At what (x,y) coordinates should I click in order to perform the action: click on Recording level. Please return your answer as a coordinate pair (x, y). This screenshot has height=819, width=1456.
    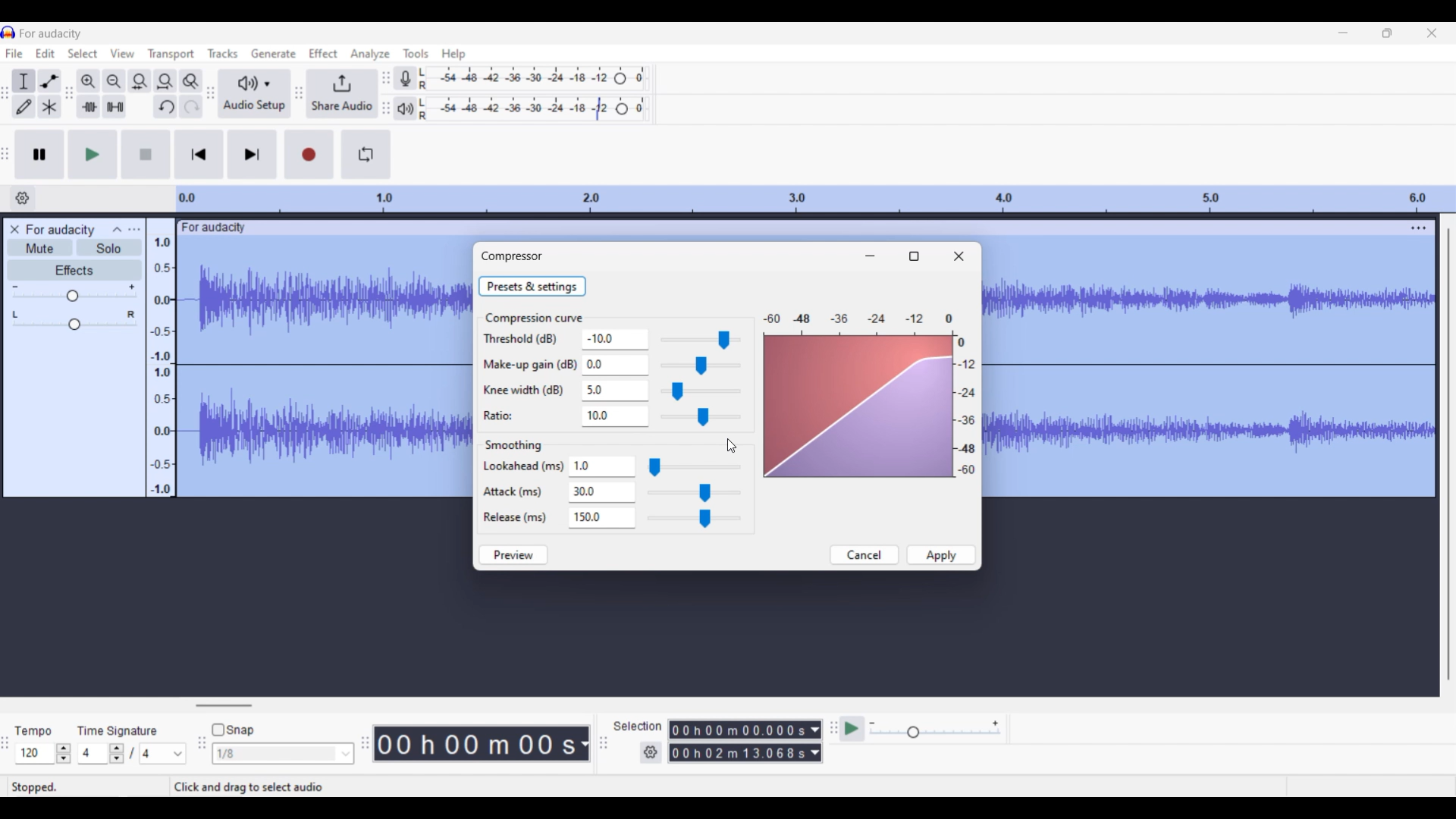
    Looking at the image, I should click on (535, 78).